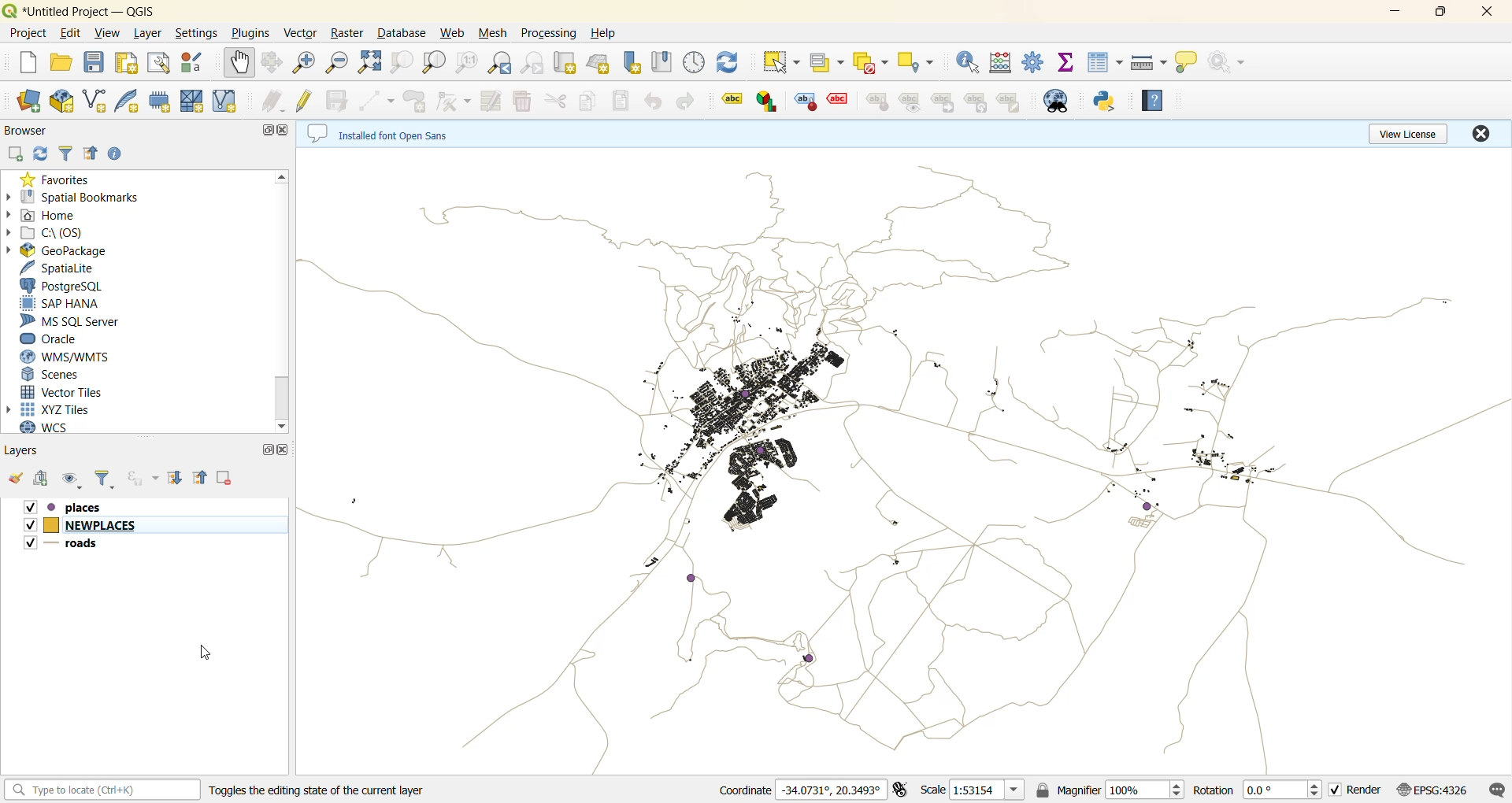 The image size is (1512, 803). I want to click on add, so click(45, 480).